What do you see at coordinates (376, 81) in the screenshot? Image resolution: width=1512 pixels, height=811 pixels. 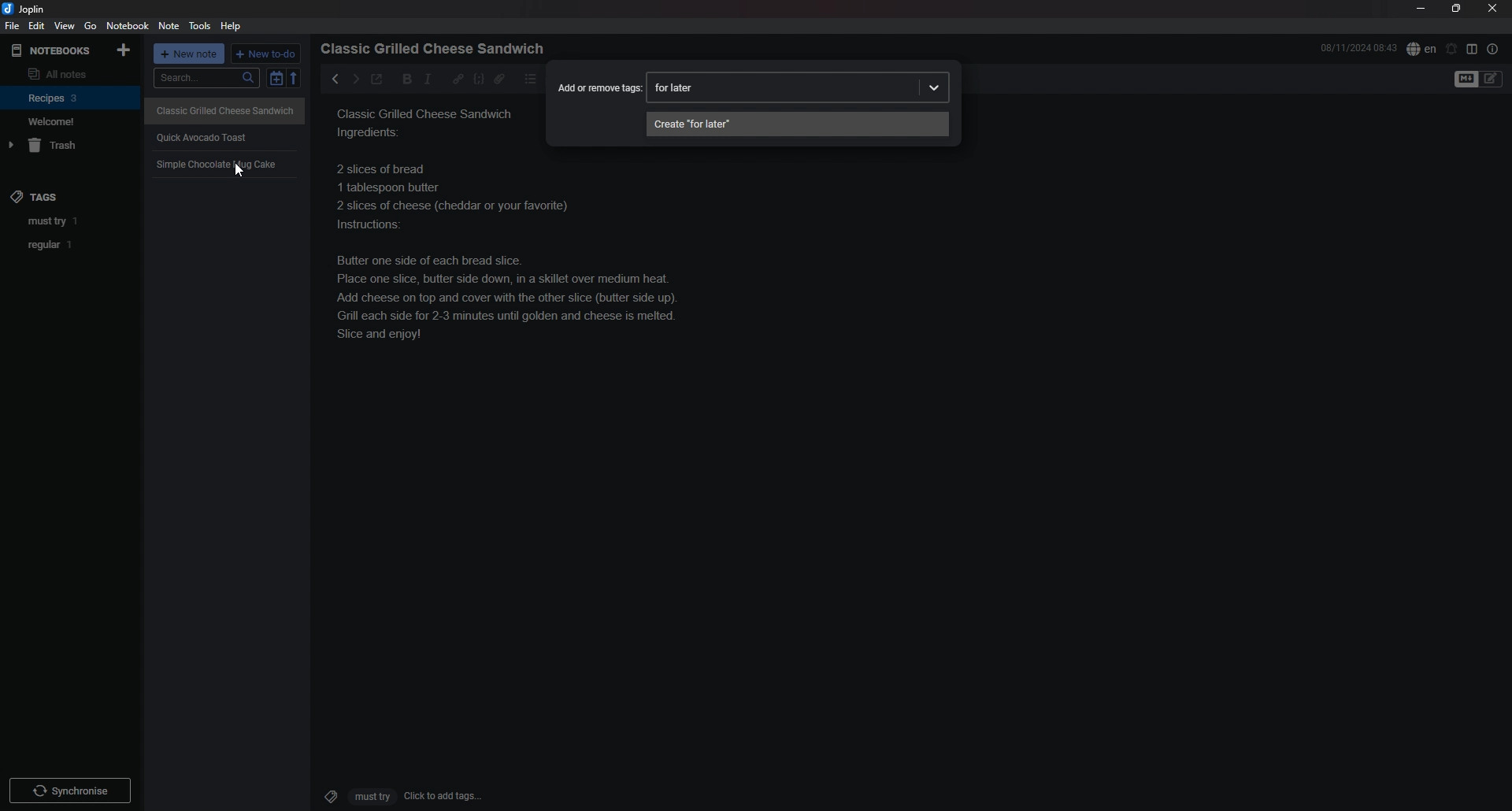 I see `toggle external editor` at bounding box center [376, 81].